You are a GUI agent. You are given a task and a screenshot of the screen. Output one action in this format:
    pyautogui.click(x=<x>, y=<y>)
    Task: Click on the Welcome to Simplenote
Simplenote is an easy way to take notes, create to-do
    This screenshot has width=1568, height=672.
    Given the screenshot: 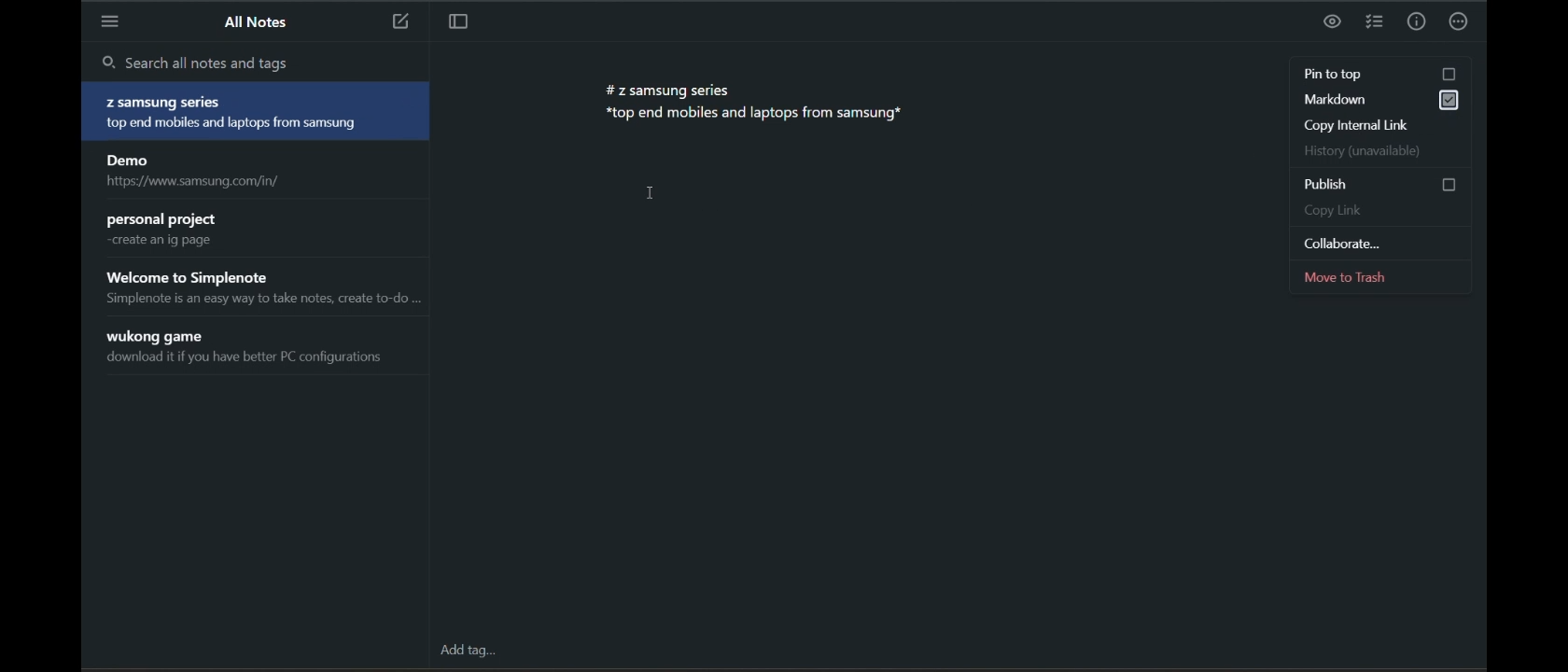 What is the action you would take?
    pyautogui.click(x=261, y=289)
    